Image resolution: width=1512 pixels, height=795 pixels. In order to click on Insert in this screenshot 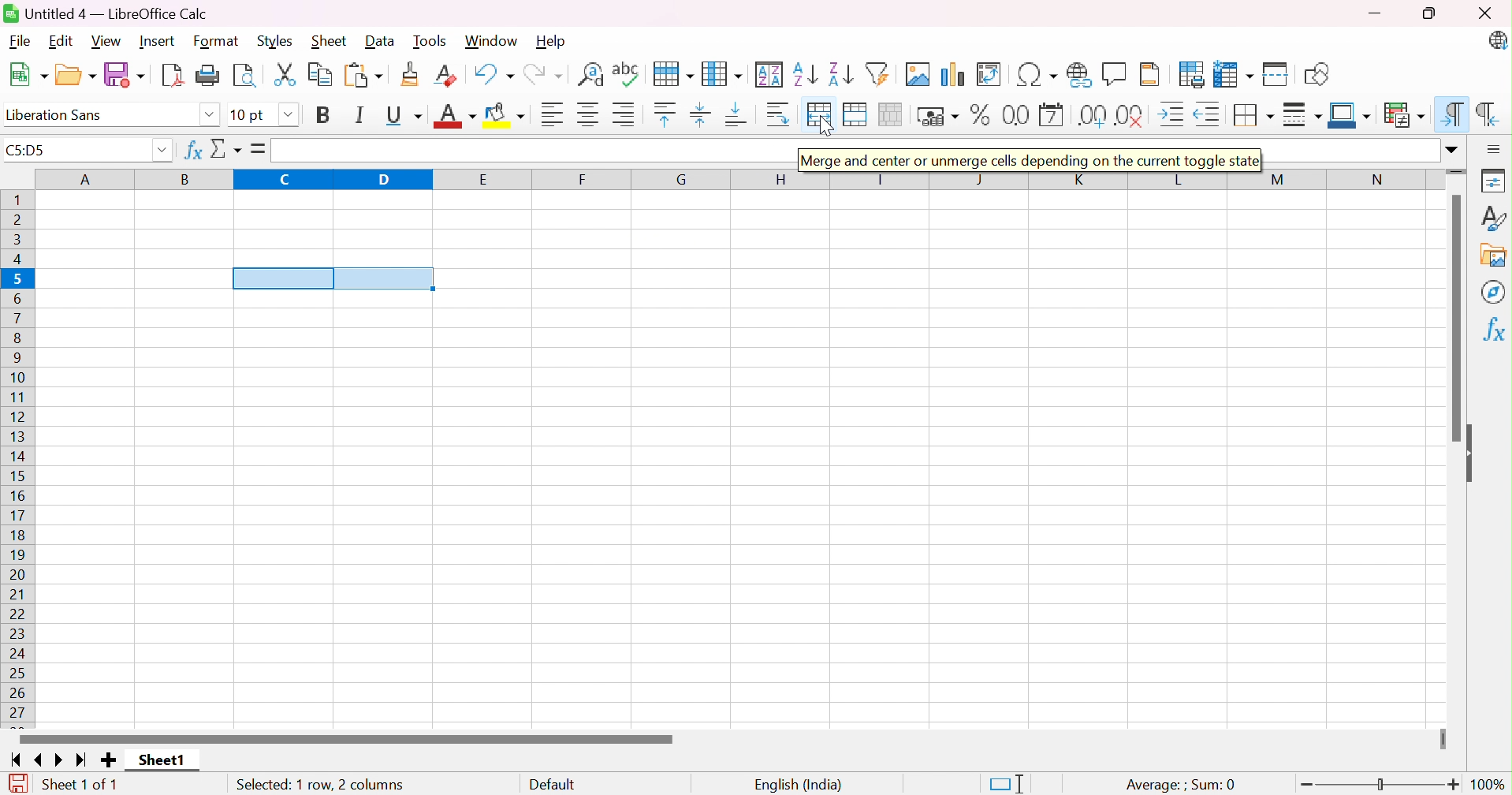, I will do `click(158, 40)`.